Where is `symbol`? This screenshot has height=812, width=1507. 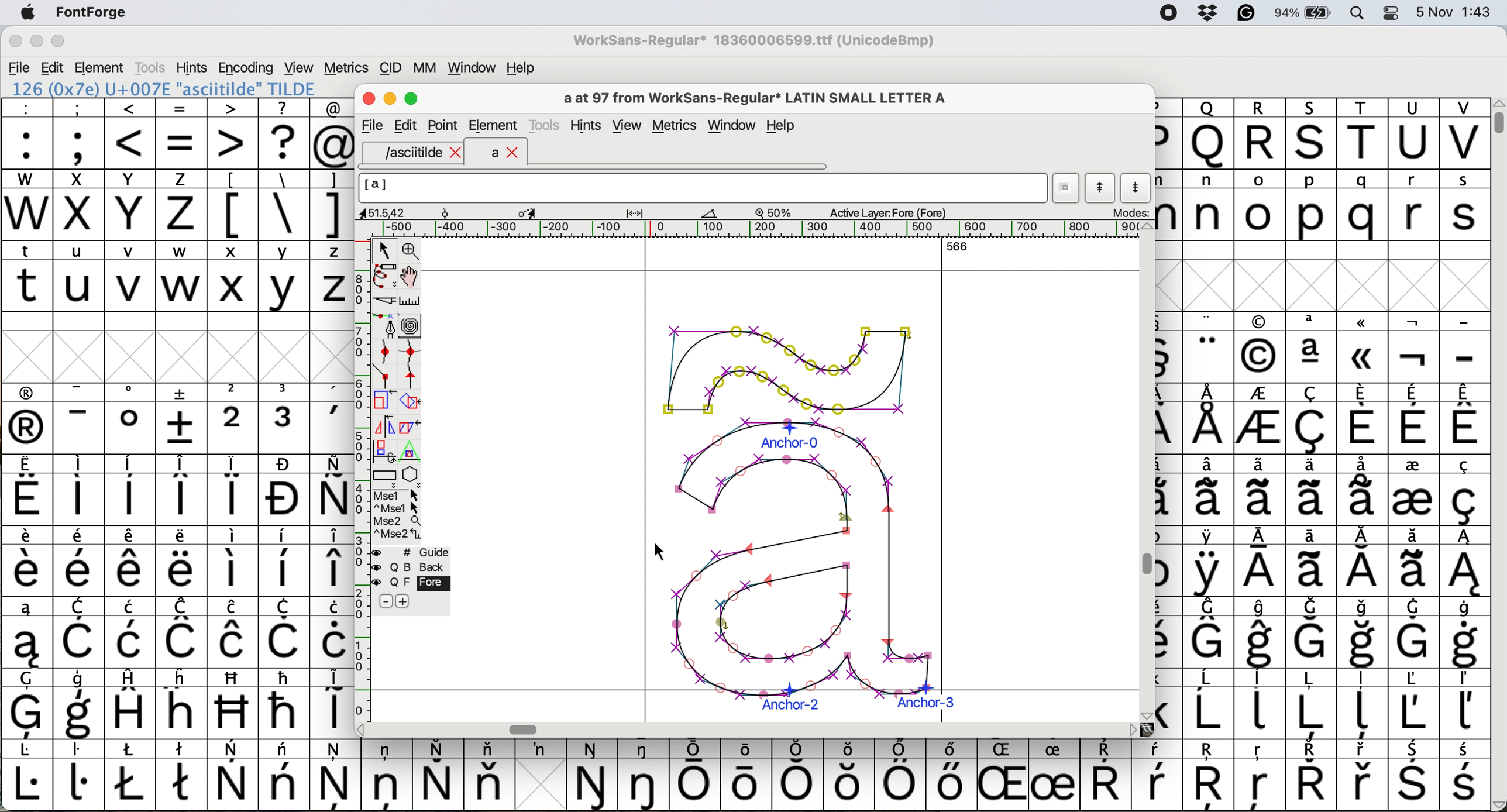 symbol is located at coordinates (1364, 562).